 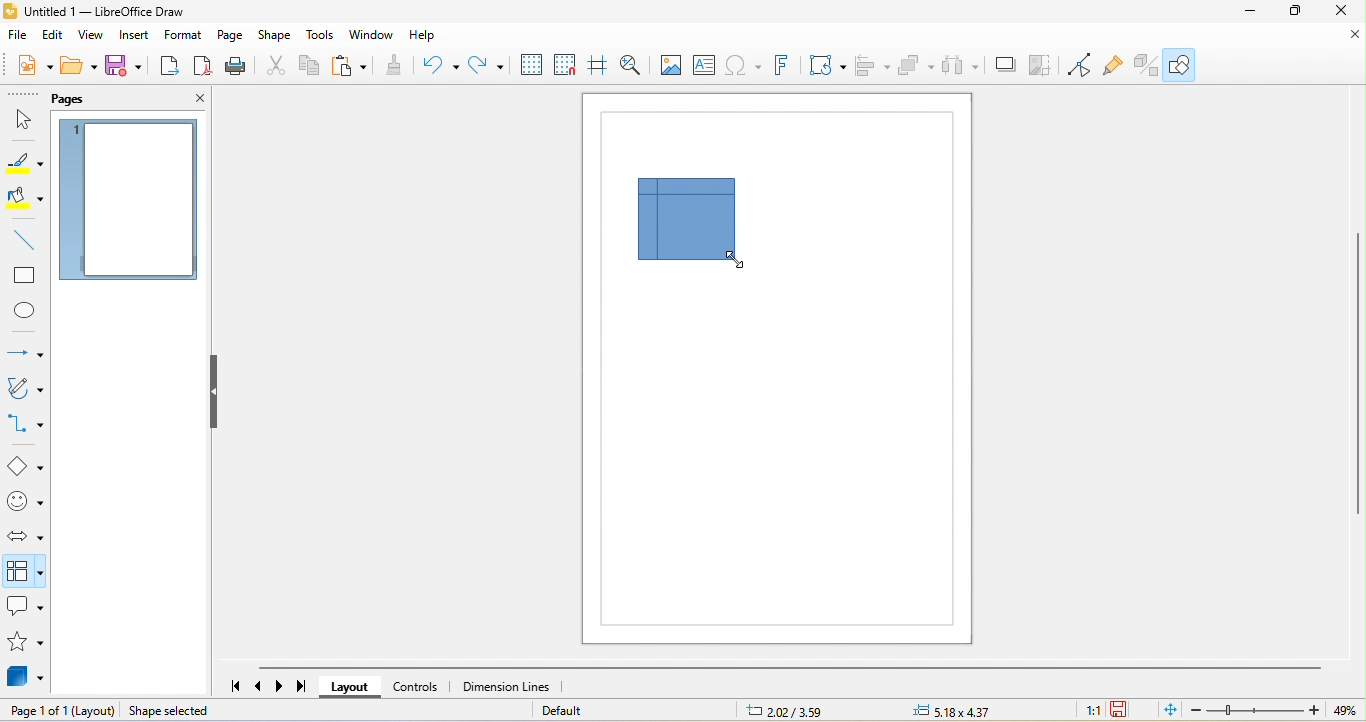 What do you see at coordinates (304, 689) in the screenshot?
I see `scroll to last page` at bounding box center [304, 689].